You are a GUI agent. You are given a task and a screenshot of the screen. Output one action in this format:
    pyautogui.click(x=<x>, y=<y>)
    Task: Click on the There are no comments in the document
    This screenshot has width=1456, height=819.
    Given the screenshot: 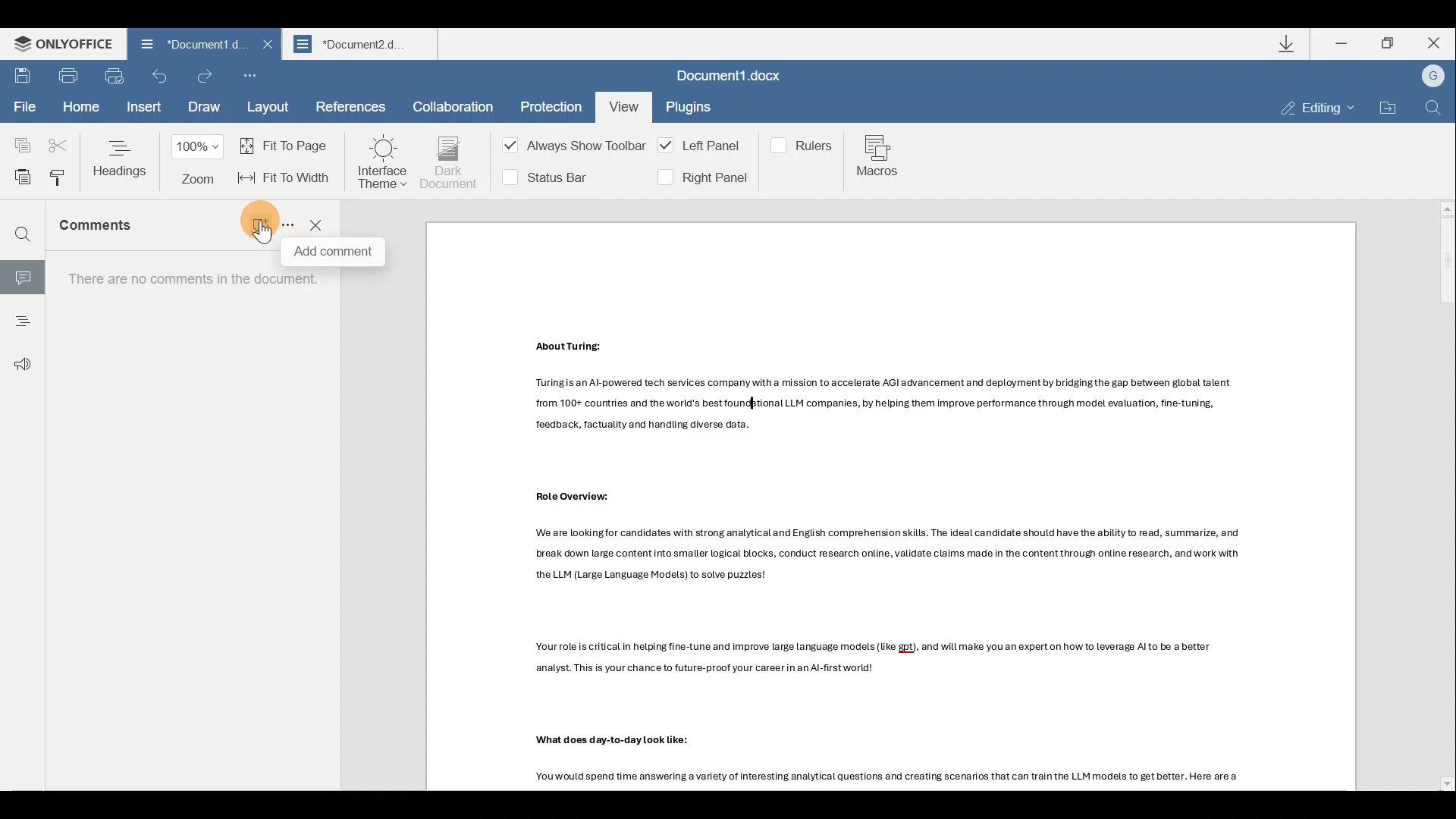 What is the action you would take?
    pyautogui.click(x=187, y=521)
    